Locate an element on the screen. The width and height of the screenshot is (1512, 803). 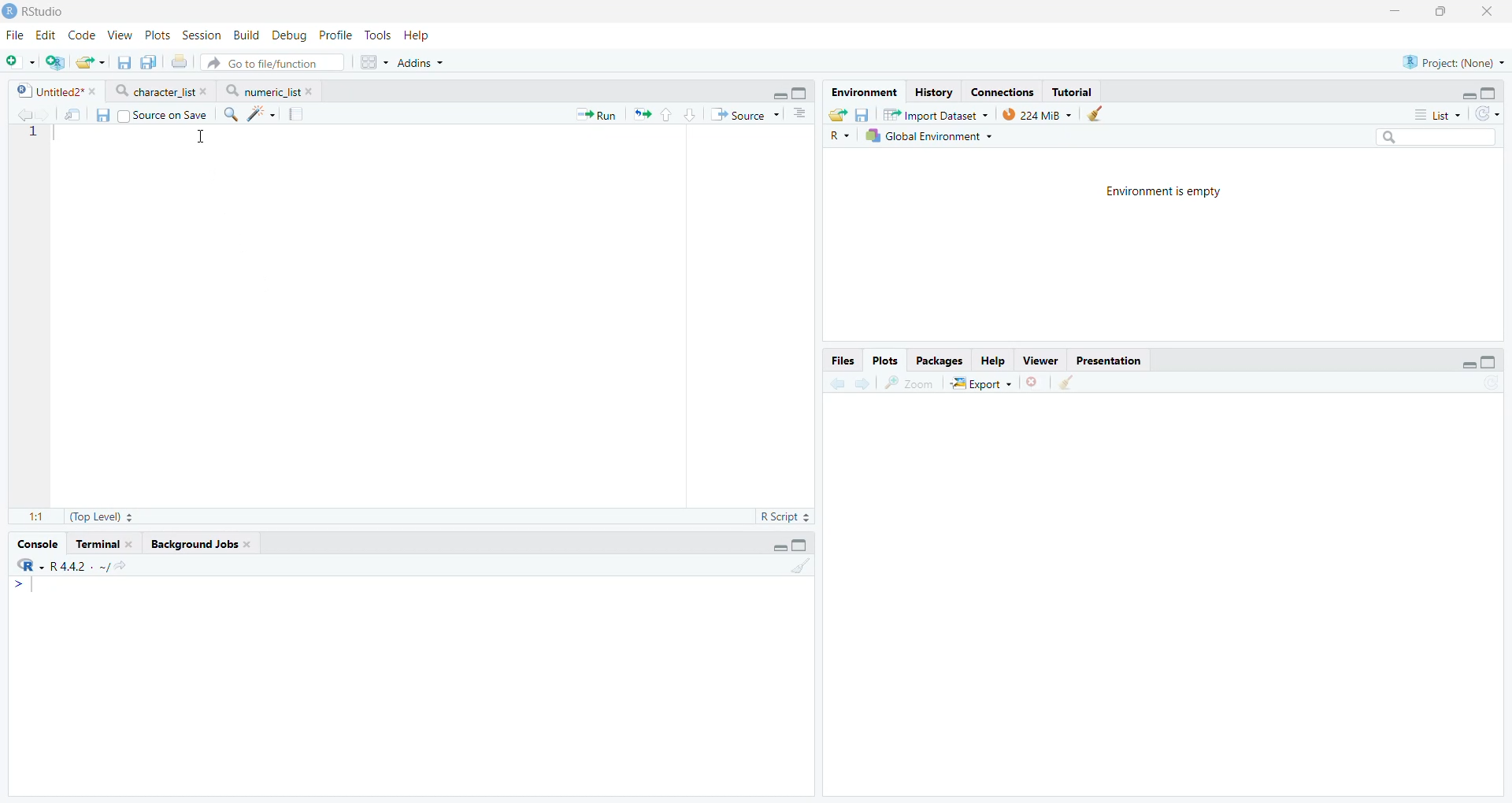
Project: (None) is located at coordinates (1451, 61).